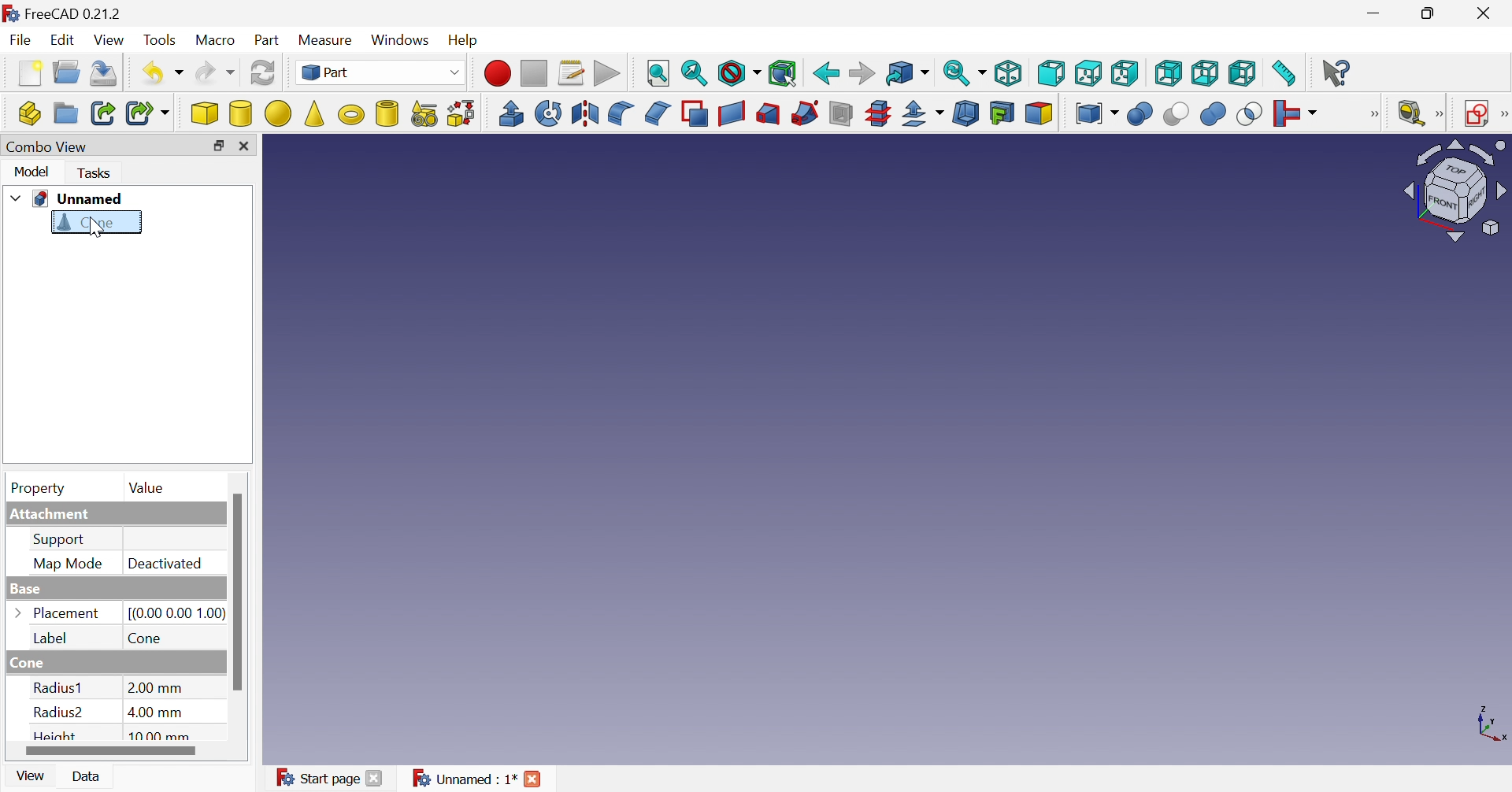 The width and height of the screenshot is (1512, 792). What do you see at coordinates (767, 113) in the screenshot?
I see `Loft` at bounding box center [767, 113].